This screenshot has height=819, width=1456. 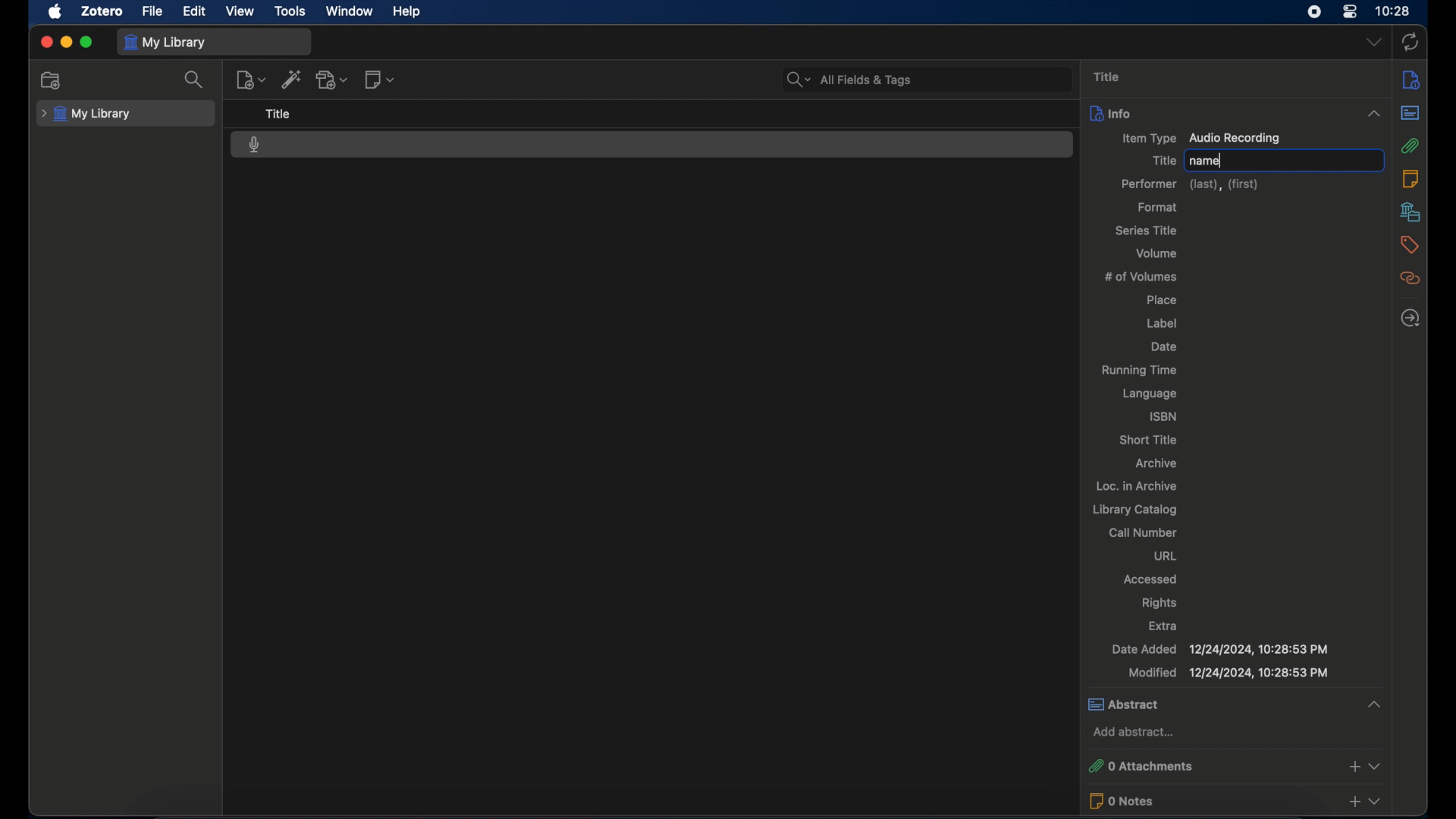 I want to click on new item, so click(x=250, y=80).